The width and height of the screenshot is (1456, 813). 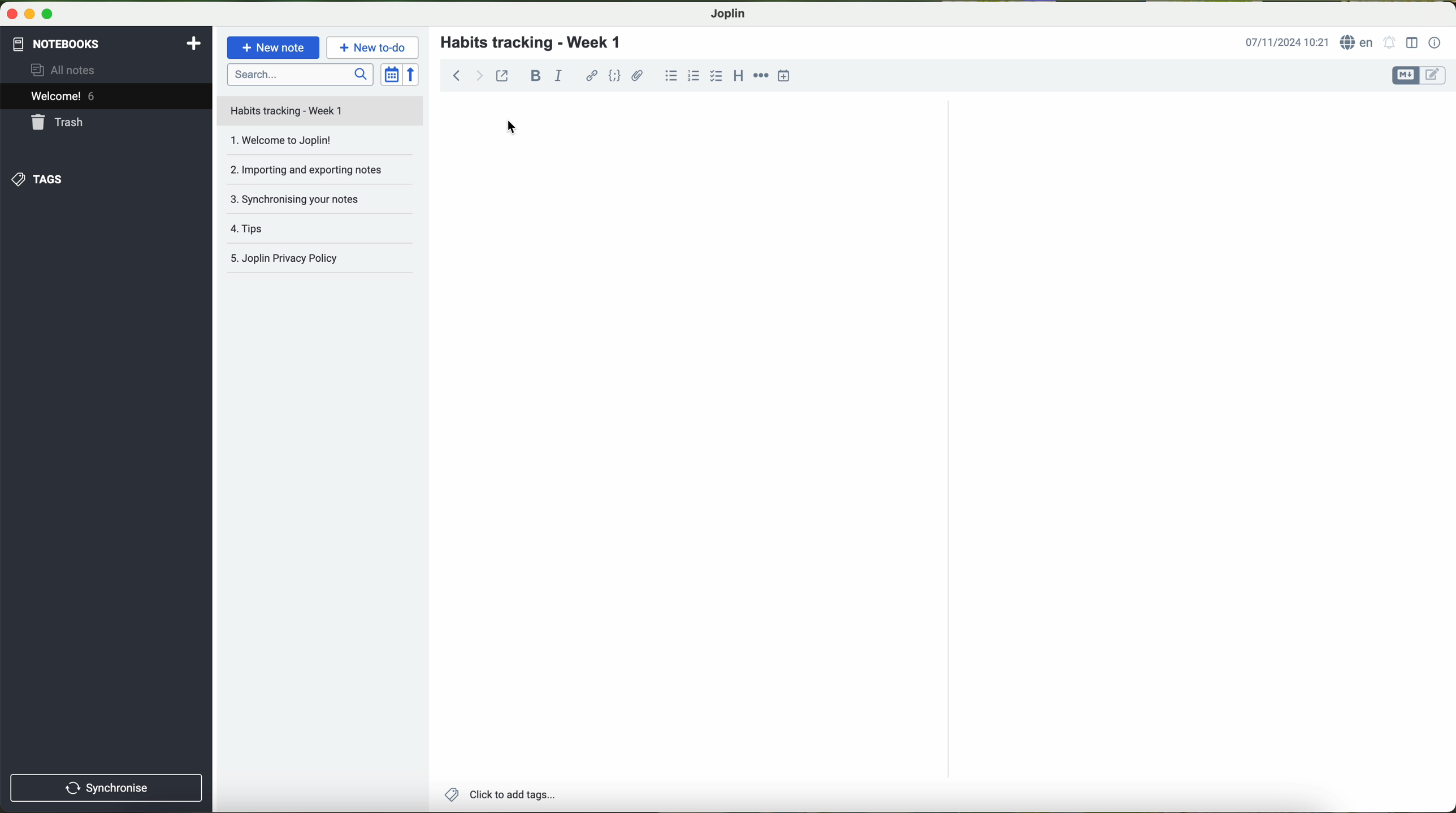 What do you see at coordinates (321, 260) in the screenshot?
I see `Joplin privacy policy` at bounding box center [321, 260].